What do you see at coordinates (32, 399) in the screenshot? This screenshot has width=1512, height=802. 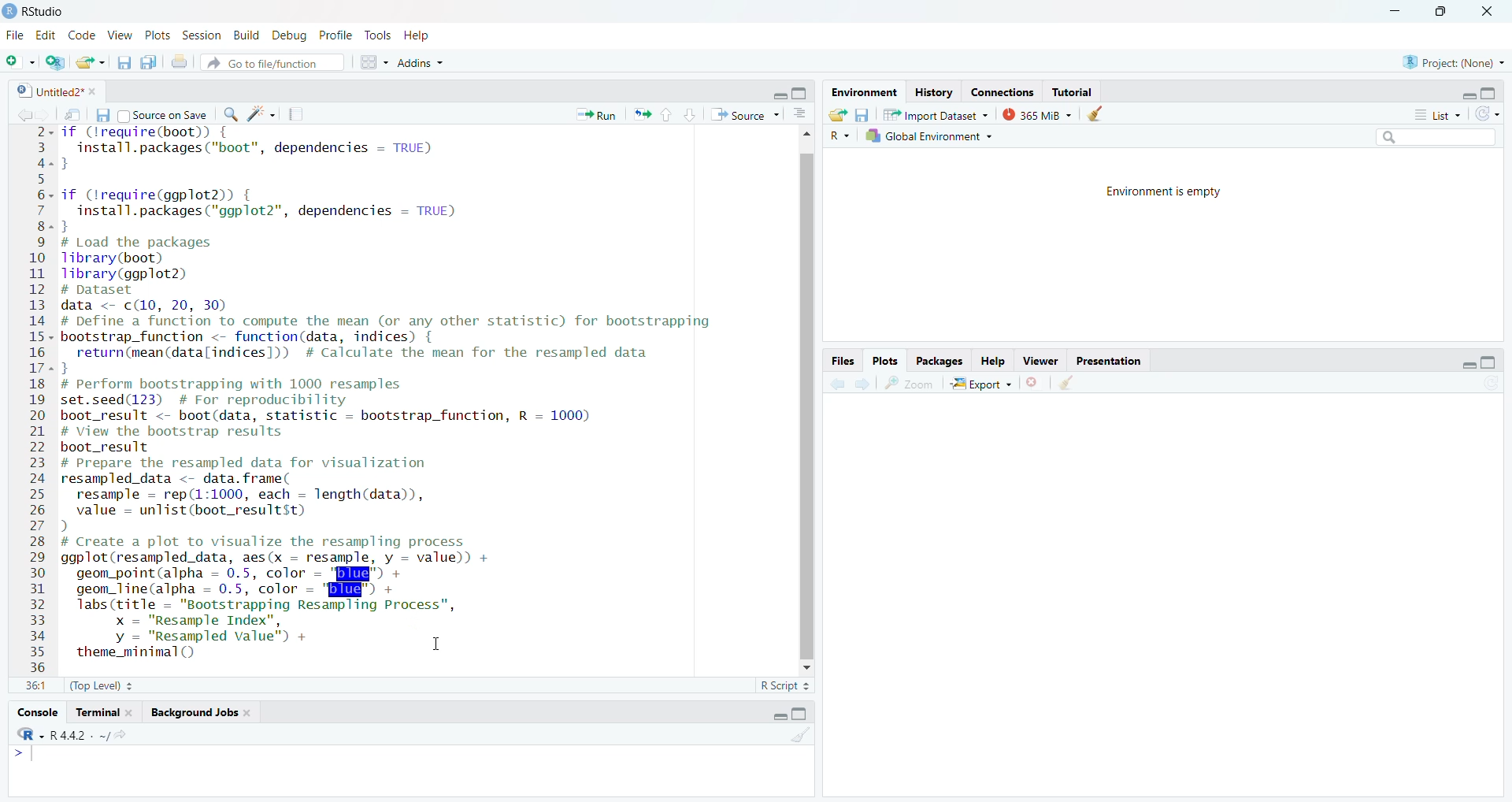 I see `23456789101112131415161718192021222324252627282930313233343536` at bounding box center [32, 399].